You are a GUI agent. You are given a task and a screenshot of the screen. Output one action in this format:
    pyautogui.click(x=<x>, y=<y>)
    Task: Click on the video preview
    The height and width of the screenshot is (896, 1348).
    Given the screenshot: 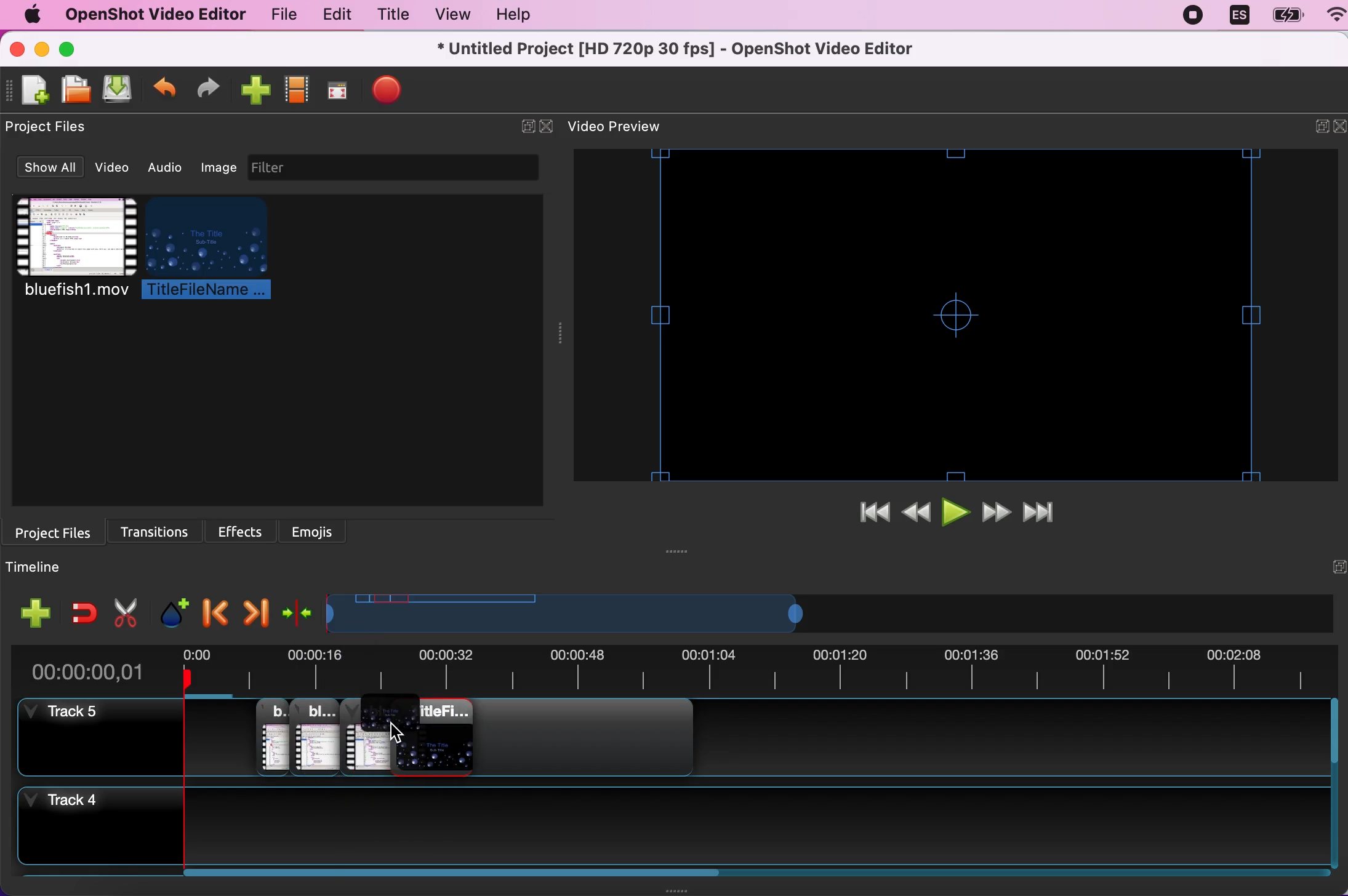 What is the action you would take?
    pyautogui.click(x=628, y=127)
    